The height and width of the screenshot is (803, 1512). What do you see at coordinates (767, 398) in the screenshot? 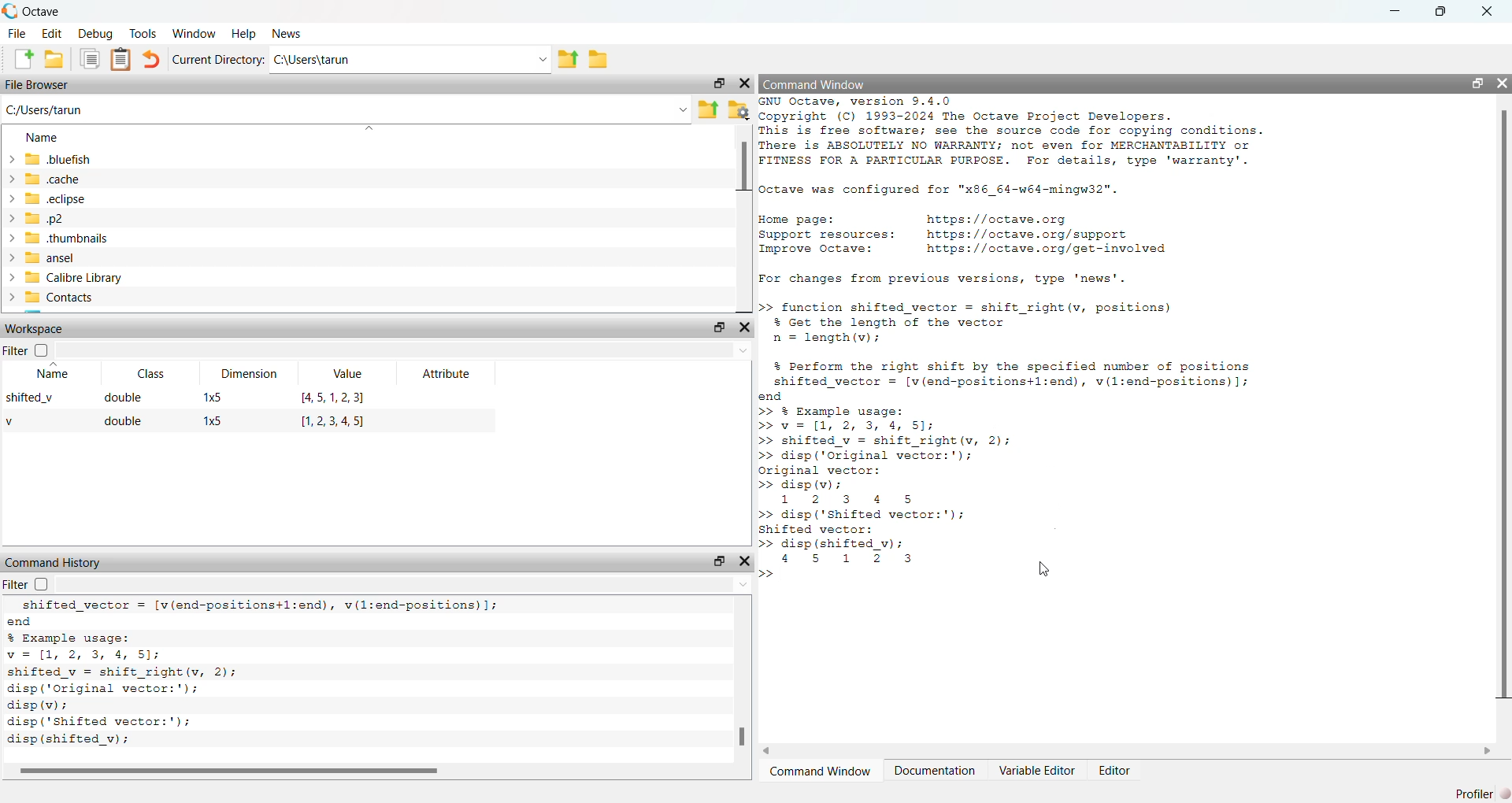
I see `end` at bounding box center [767, 398].